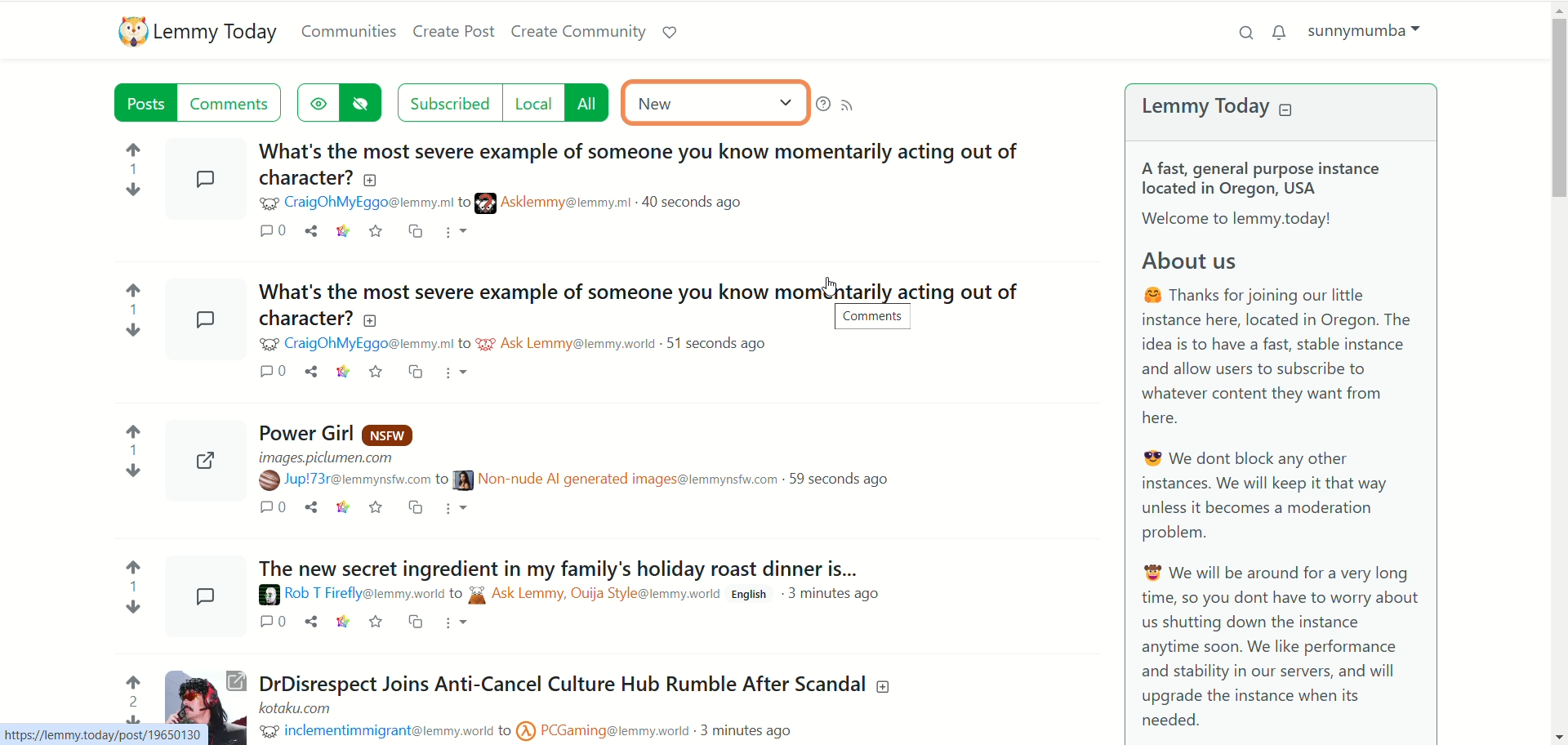 This screenshot has width=1568, height=745. What do you see at coordinates (314, 623) in the screenshot?
I see `share` at bounding box center [314, 623].